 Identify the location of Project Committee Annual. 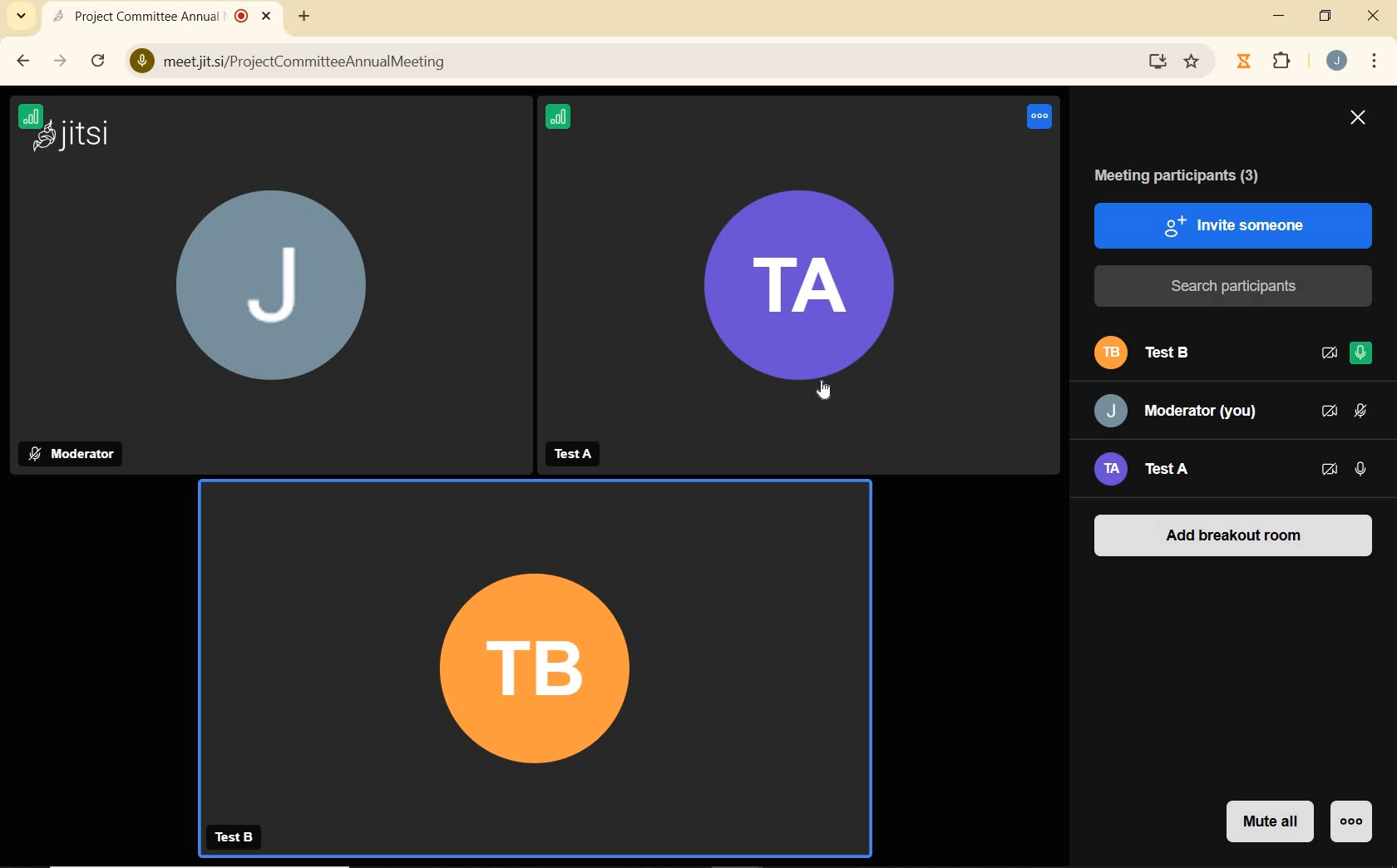
(147, 17).